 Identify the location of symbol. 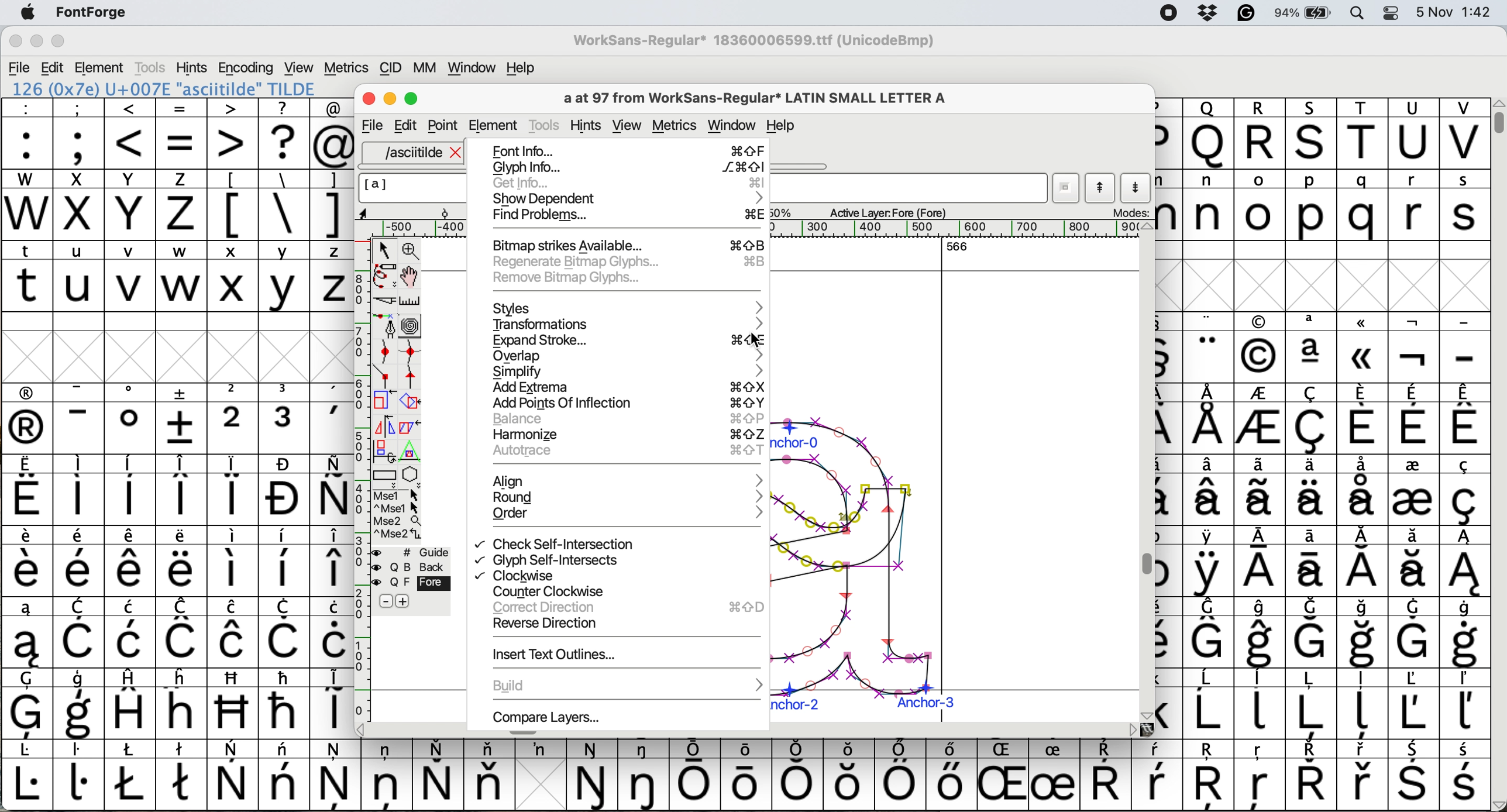
(1262, 633).